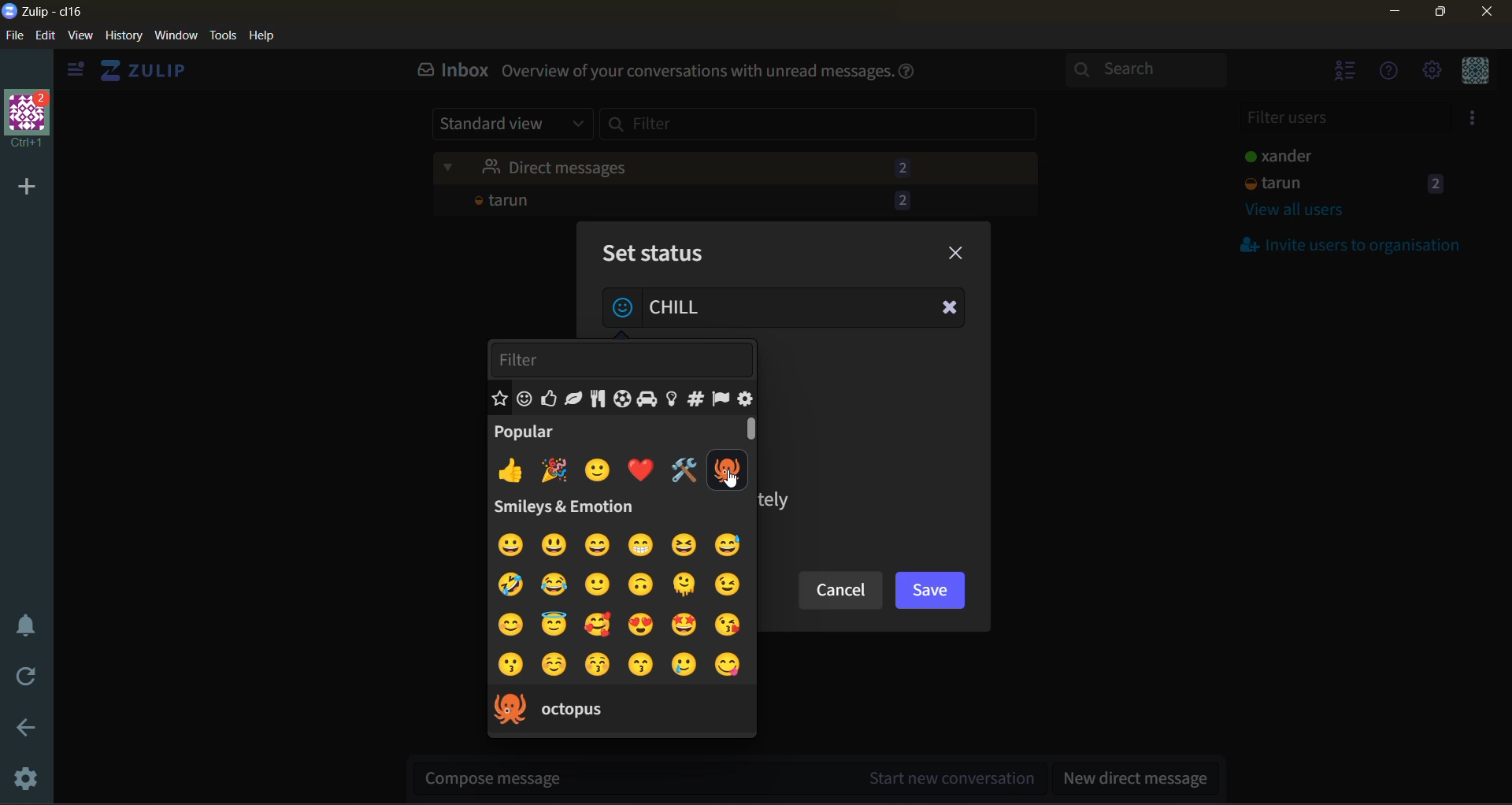  What do you see at coordinates (525, 401) in the screenshot?
I see `emoji` at bounding box center [525, 401].